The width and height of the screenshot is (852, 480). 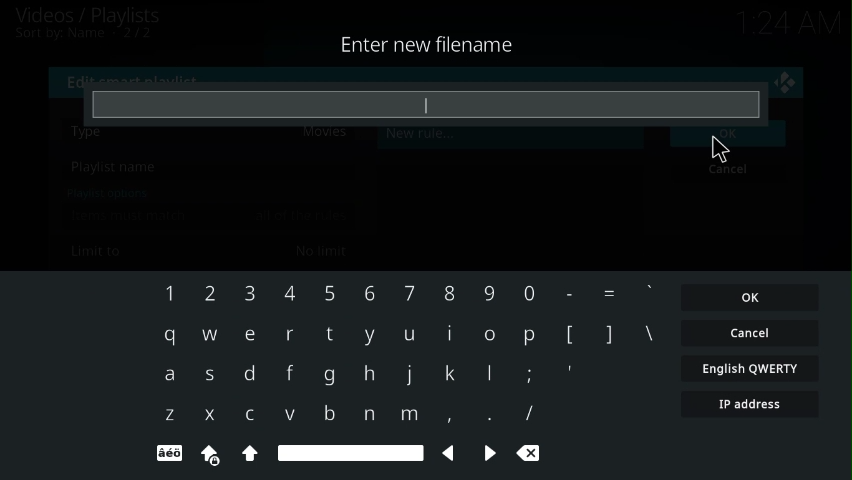 I want to click on items must match, so click(x=131, y=215).